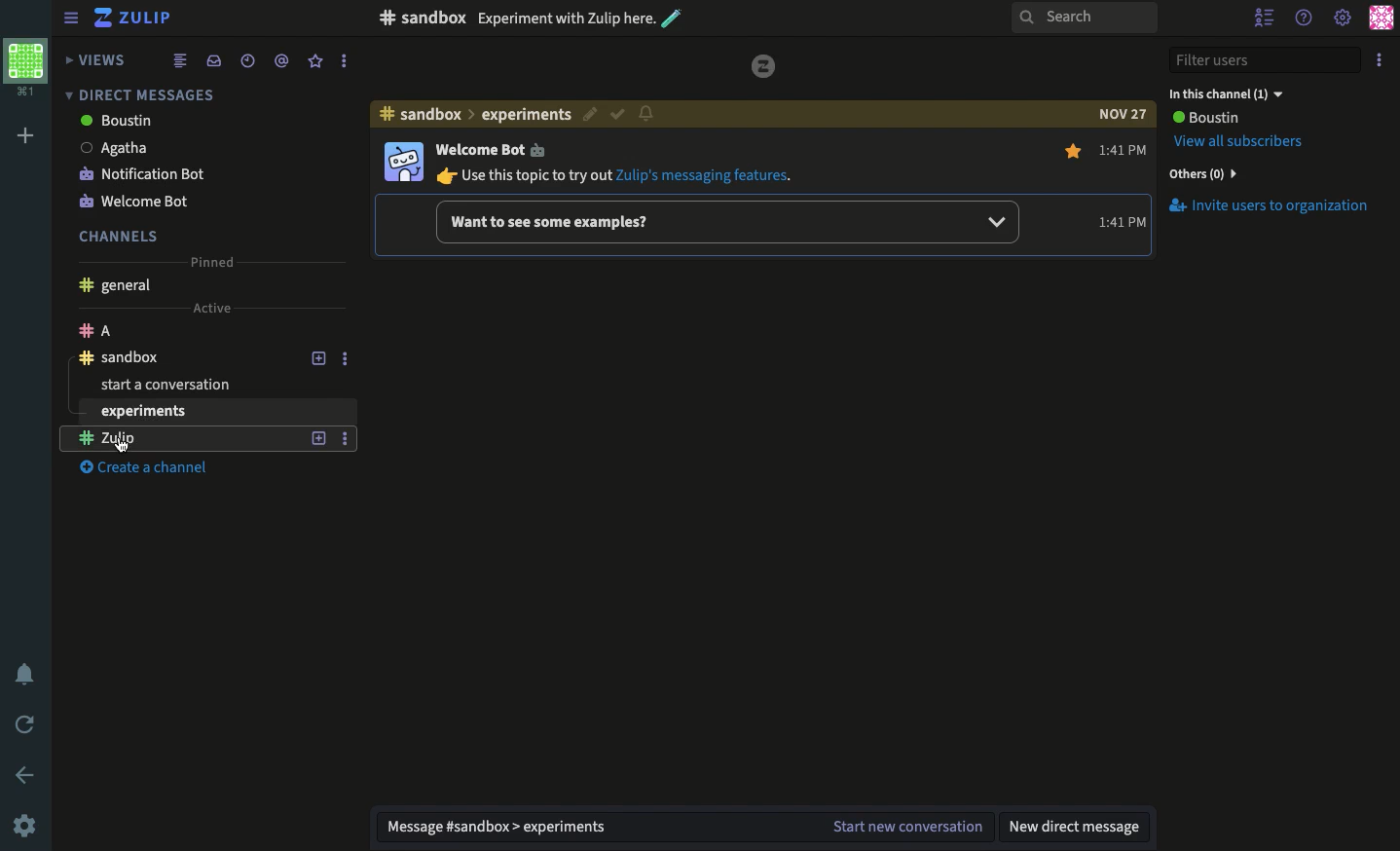 The height and width of the screenshot is (851, 1400). Describe the element at coordinates (1226, 93) in the screenshot. I see `In this channel` at that location.